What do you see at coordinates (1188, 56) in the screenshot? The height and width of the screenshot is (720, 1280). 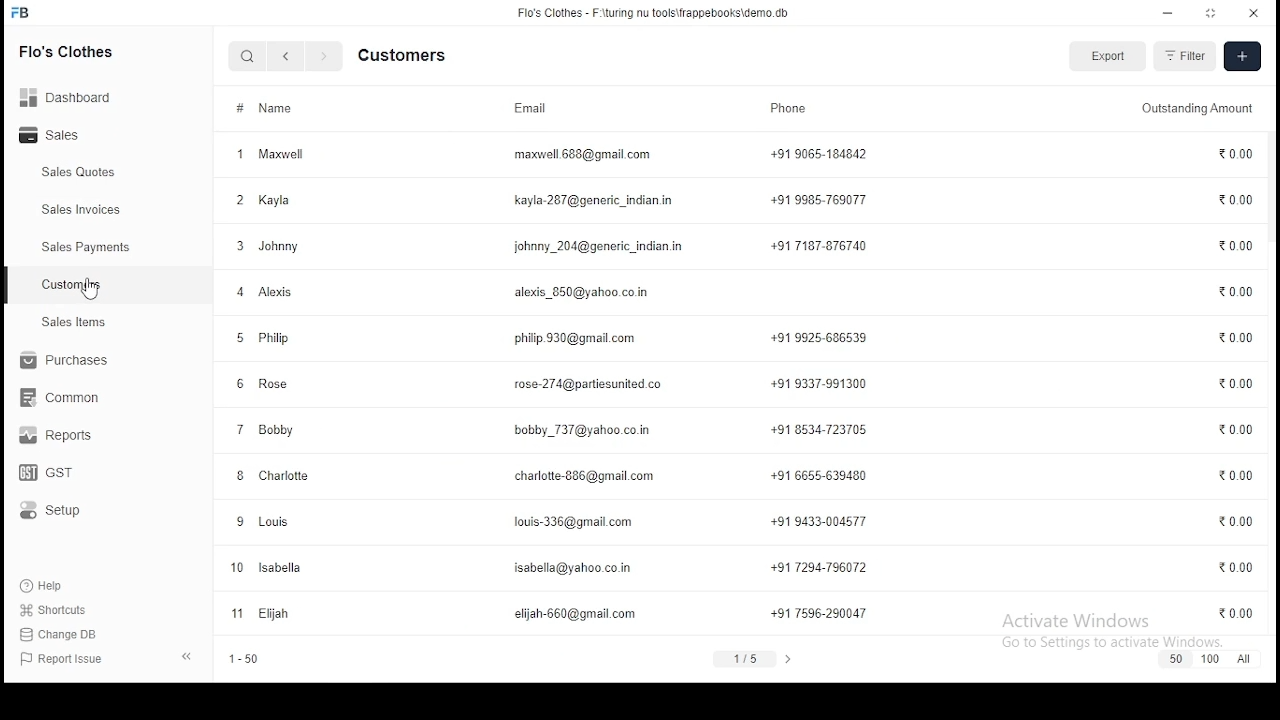 I see `filter` at bounding box center [1188, 56].